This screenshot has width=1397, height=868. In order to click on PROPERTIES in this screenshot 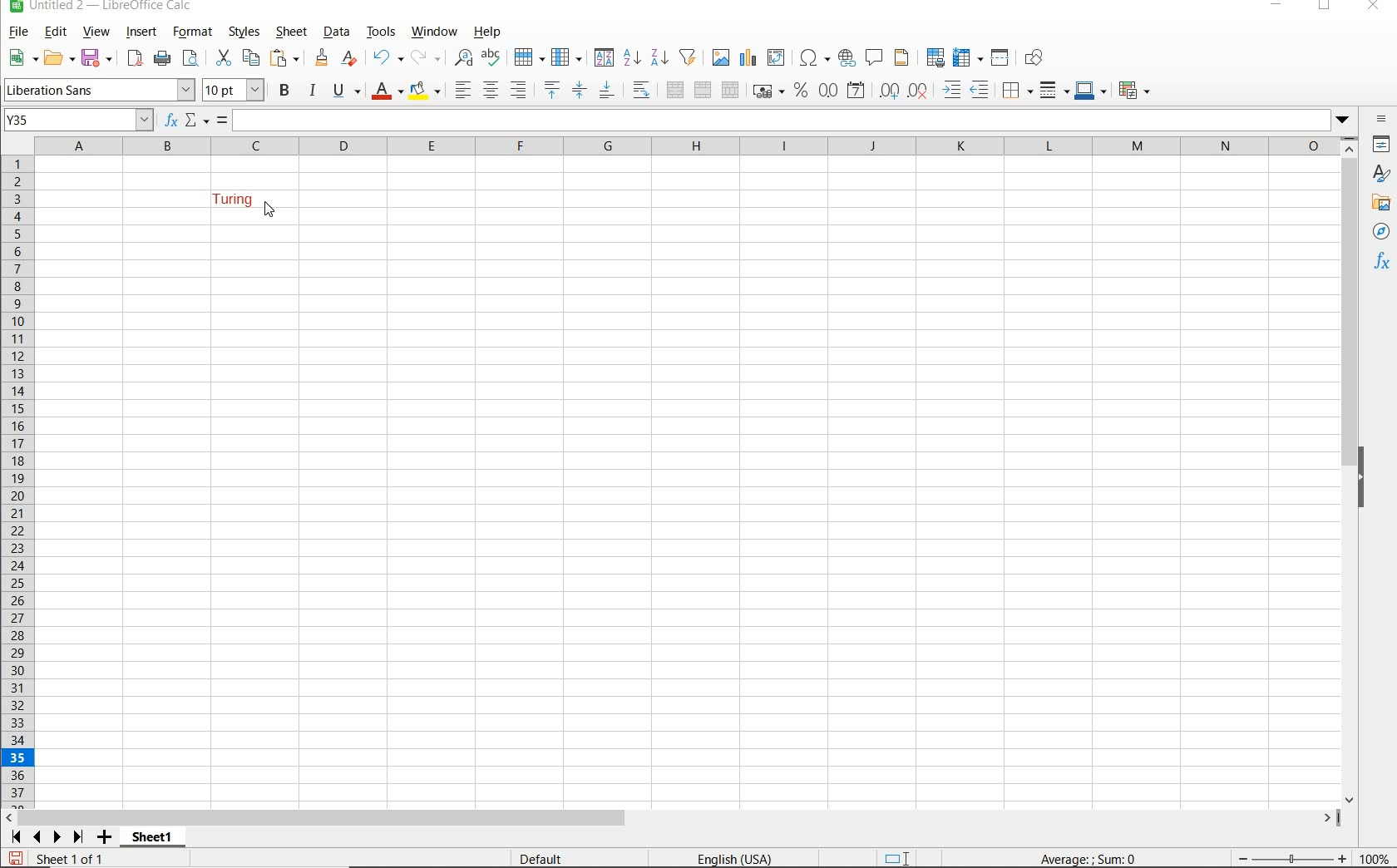, I will do `click(1383, 146)`.